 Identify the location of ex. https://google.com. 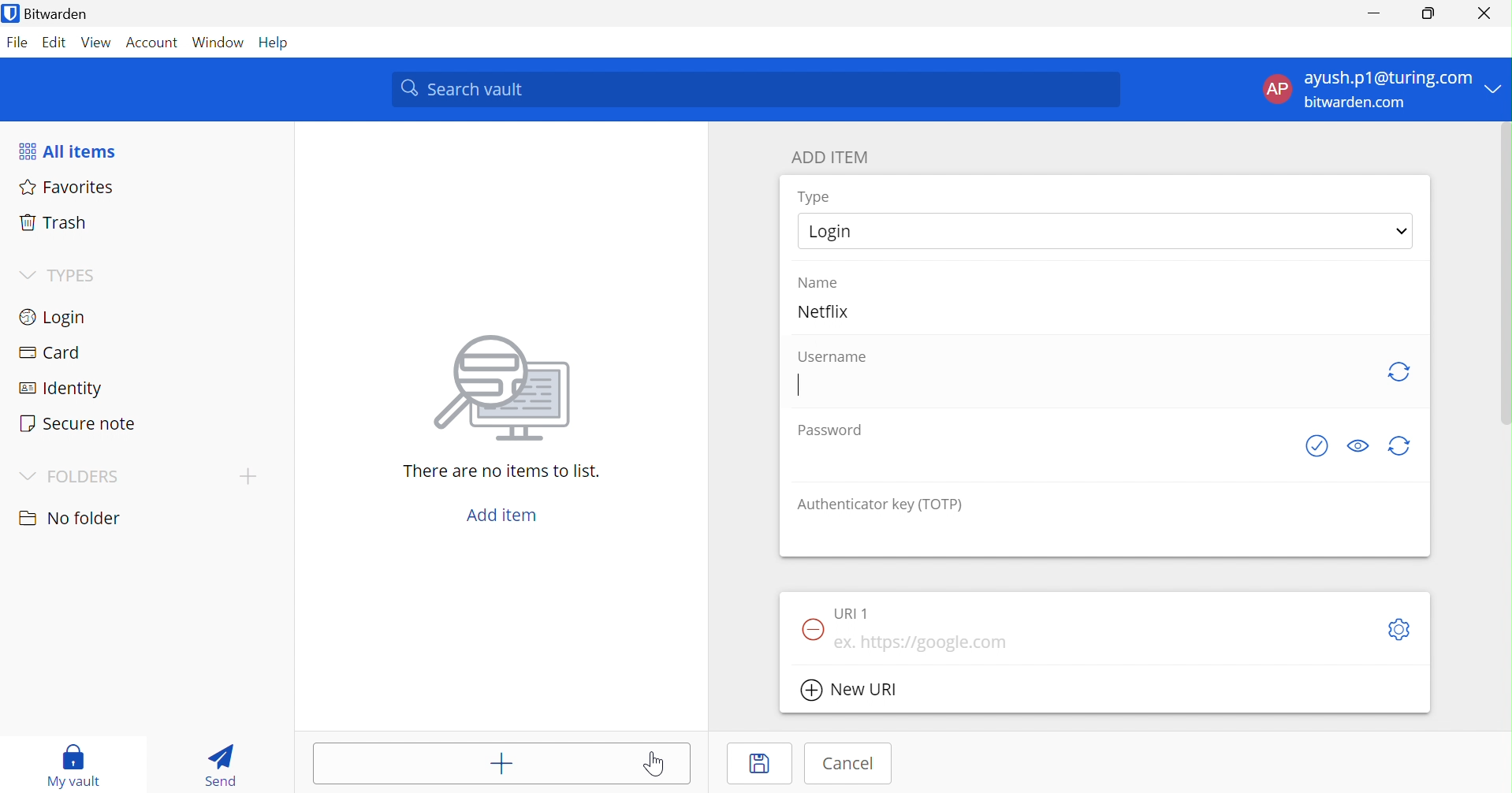
(923, 642).